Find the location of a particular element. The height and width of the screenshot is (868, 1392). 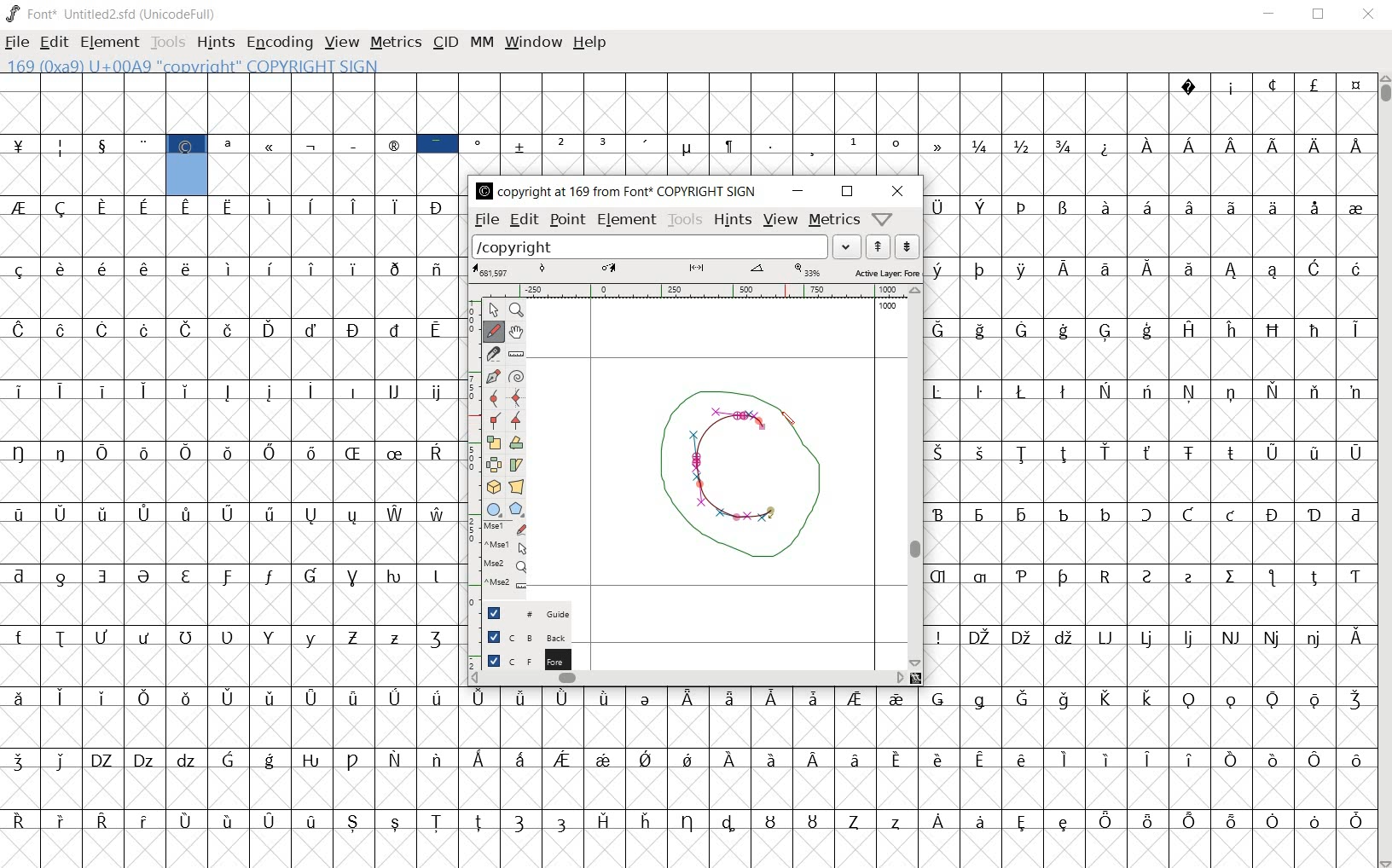

pencil tool/CURSOR LOCATION is located at coordinates (789, 425).